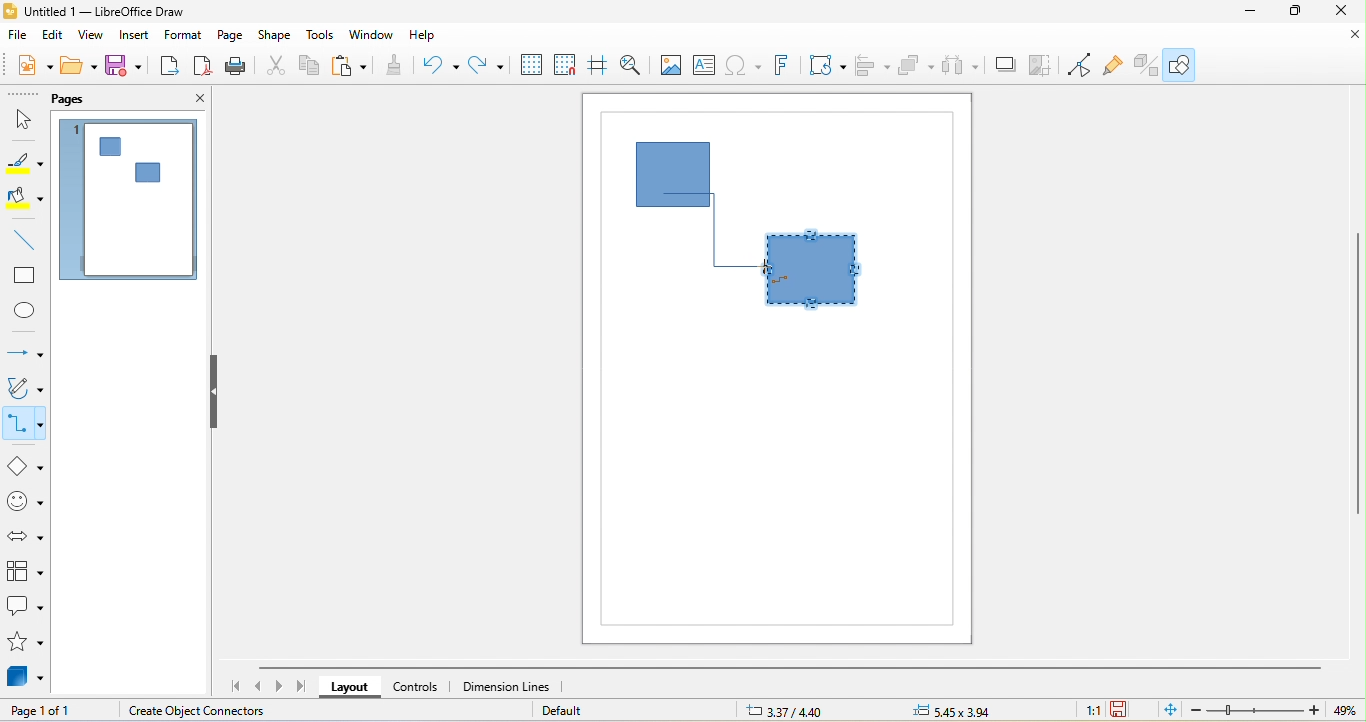  Describe the element at coordinates (634, 65) in the screenshot. I see `zoom and pan` at that location.